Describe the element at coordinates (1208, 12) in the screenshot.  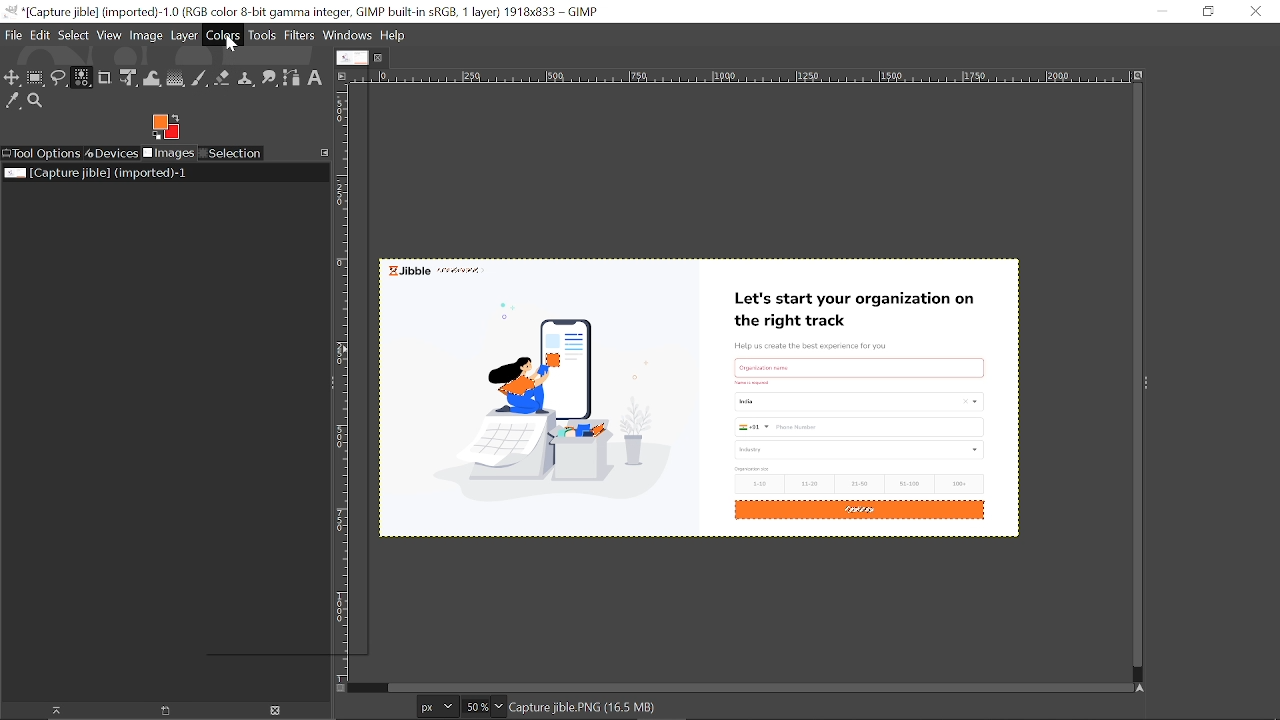
I see `Restore down` at that location.